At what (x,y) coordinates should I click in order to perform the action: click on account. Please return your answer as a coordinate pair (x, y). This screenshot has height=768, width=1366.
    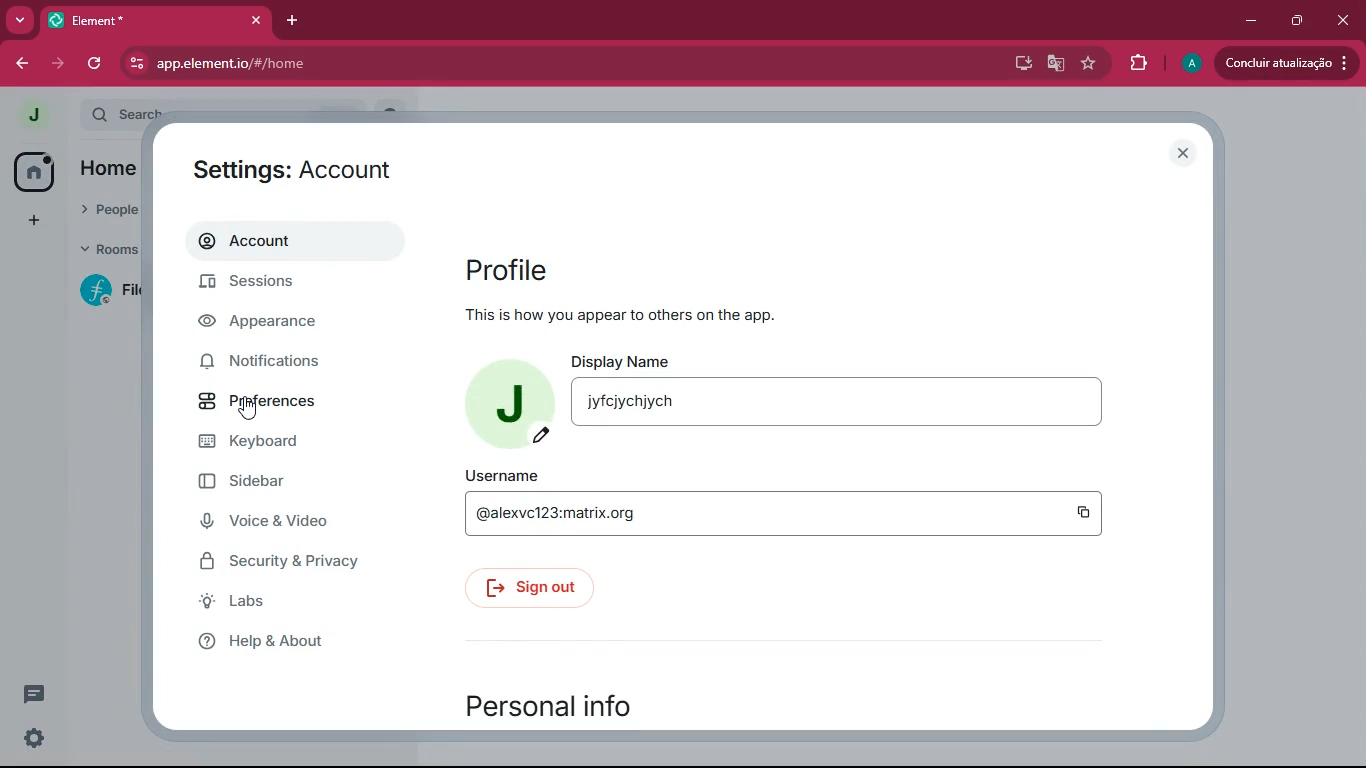
    Looking at the image, I should click on (288, 242).